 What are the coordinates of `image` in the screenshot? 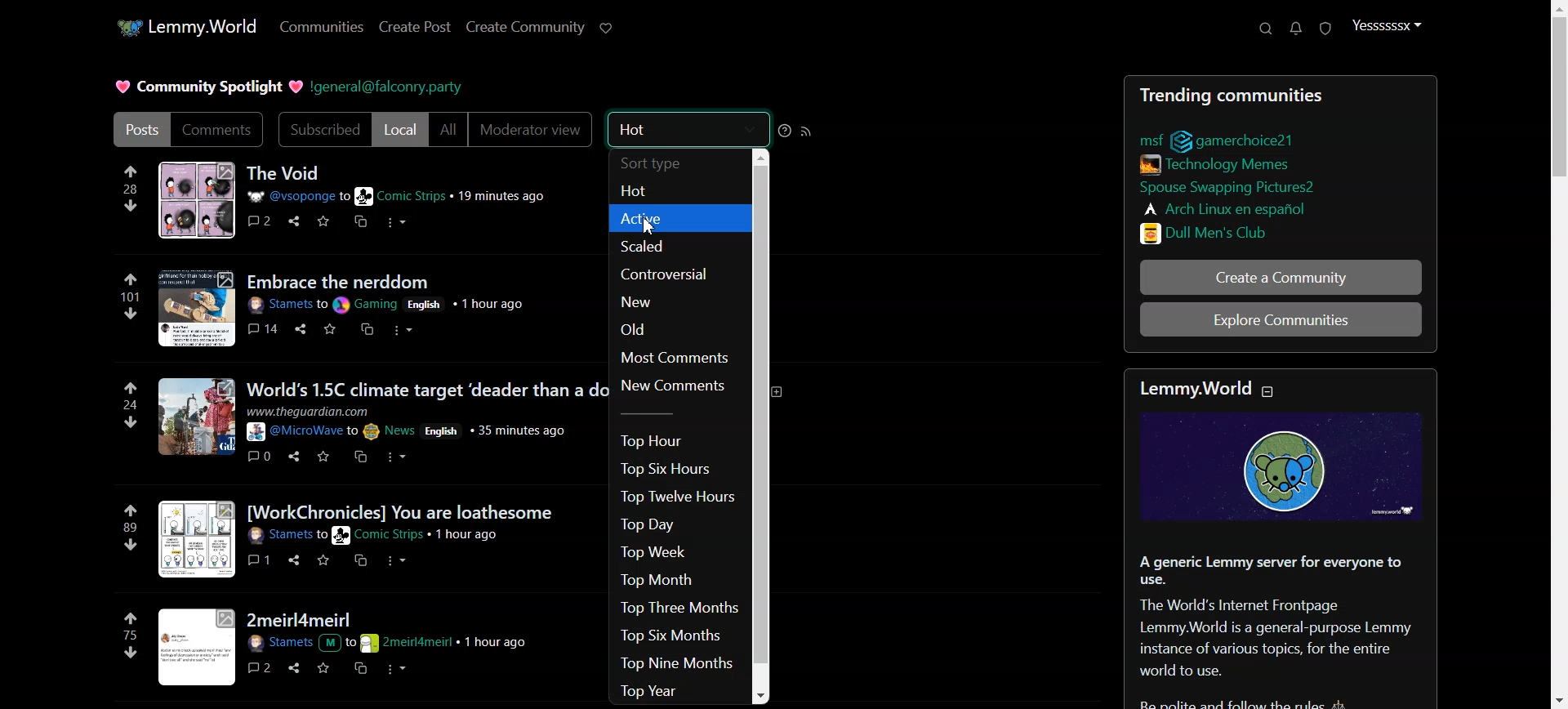 It's located at (195, 201).